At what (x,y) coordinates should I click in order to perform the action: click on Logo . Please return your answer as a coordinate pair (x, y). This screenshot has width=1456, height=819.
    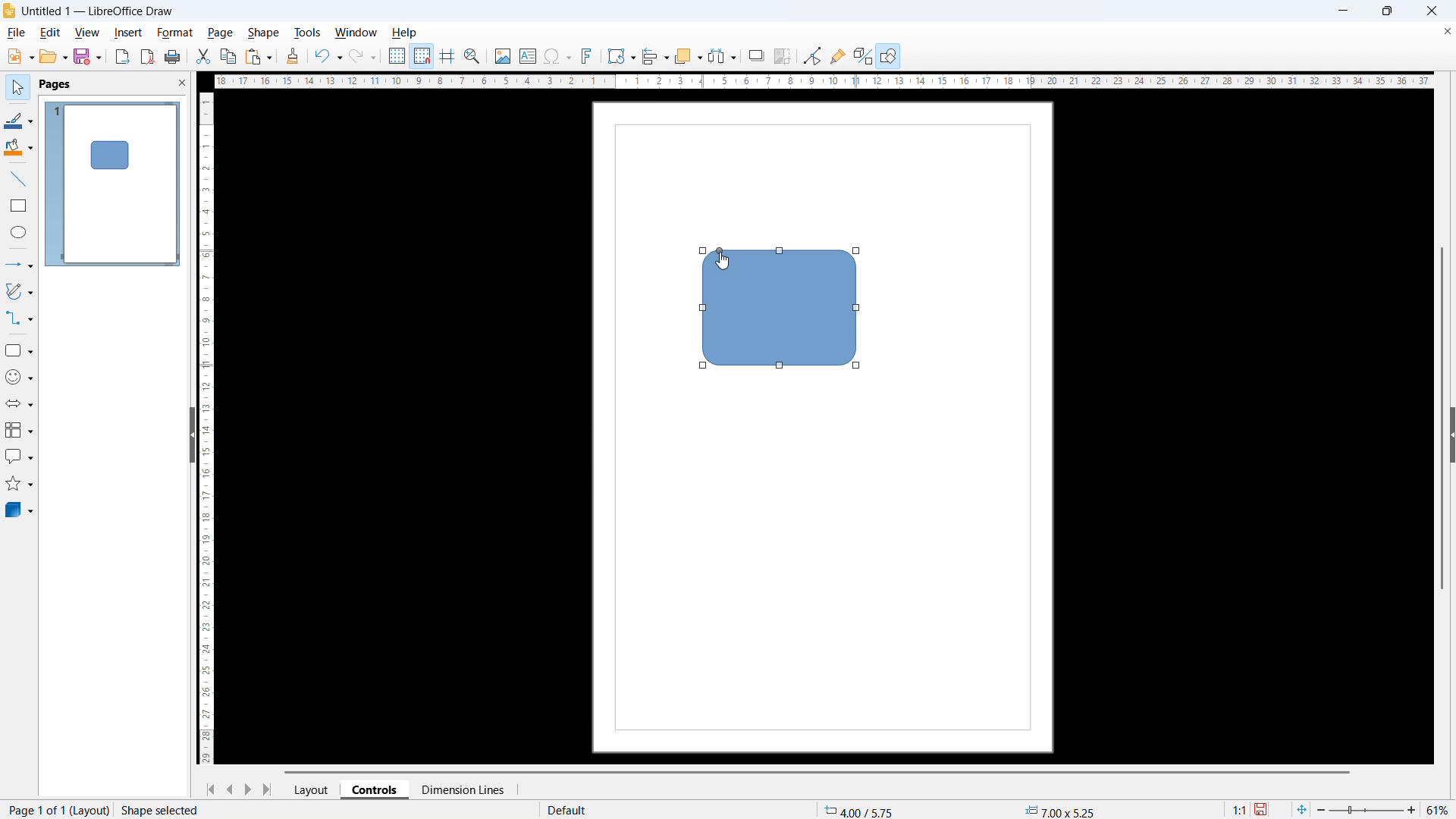
    Looking at the image, I should click on (9, 11).